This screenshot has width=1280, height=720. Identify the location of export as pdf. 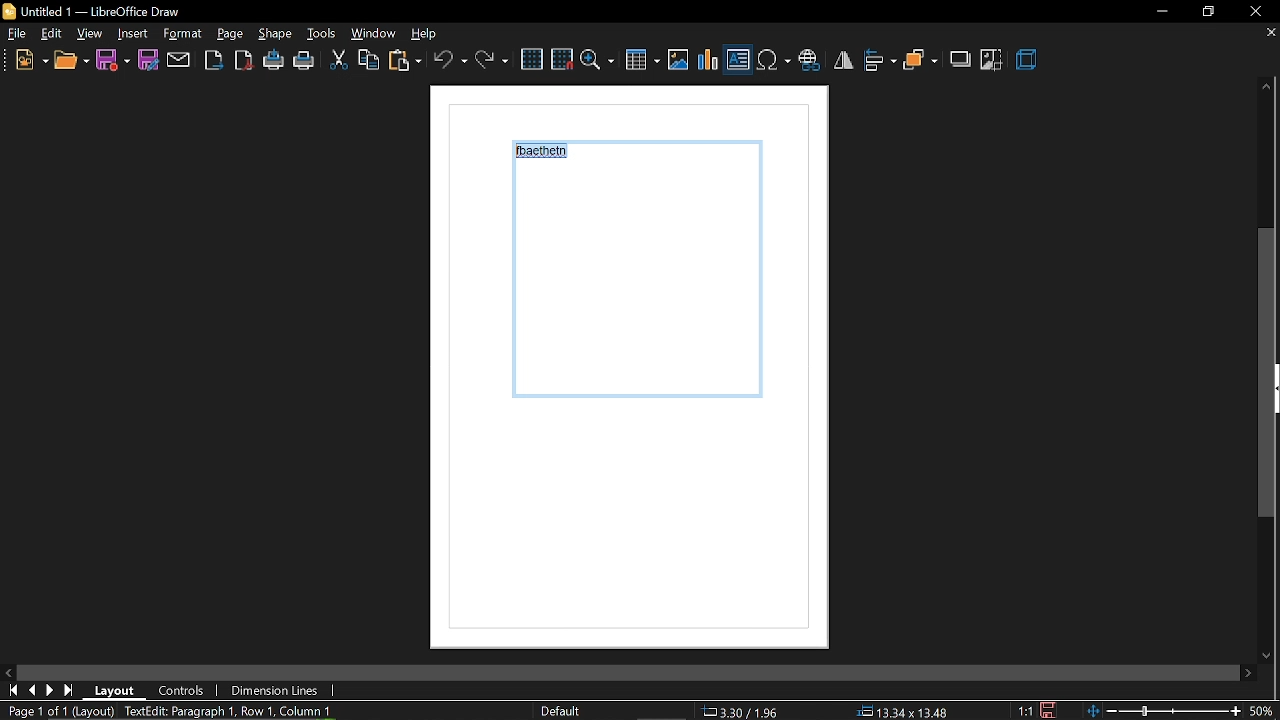
(243, 60).